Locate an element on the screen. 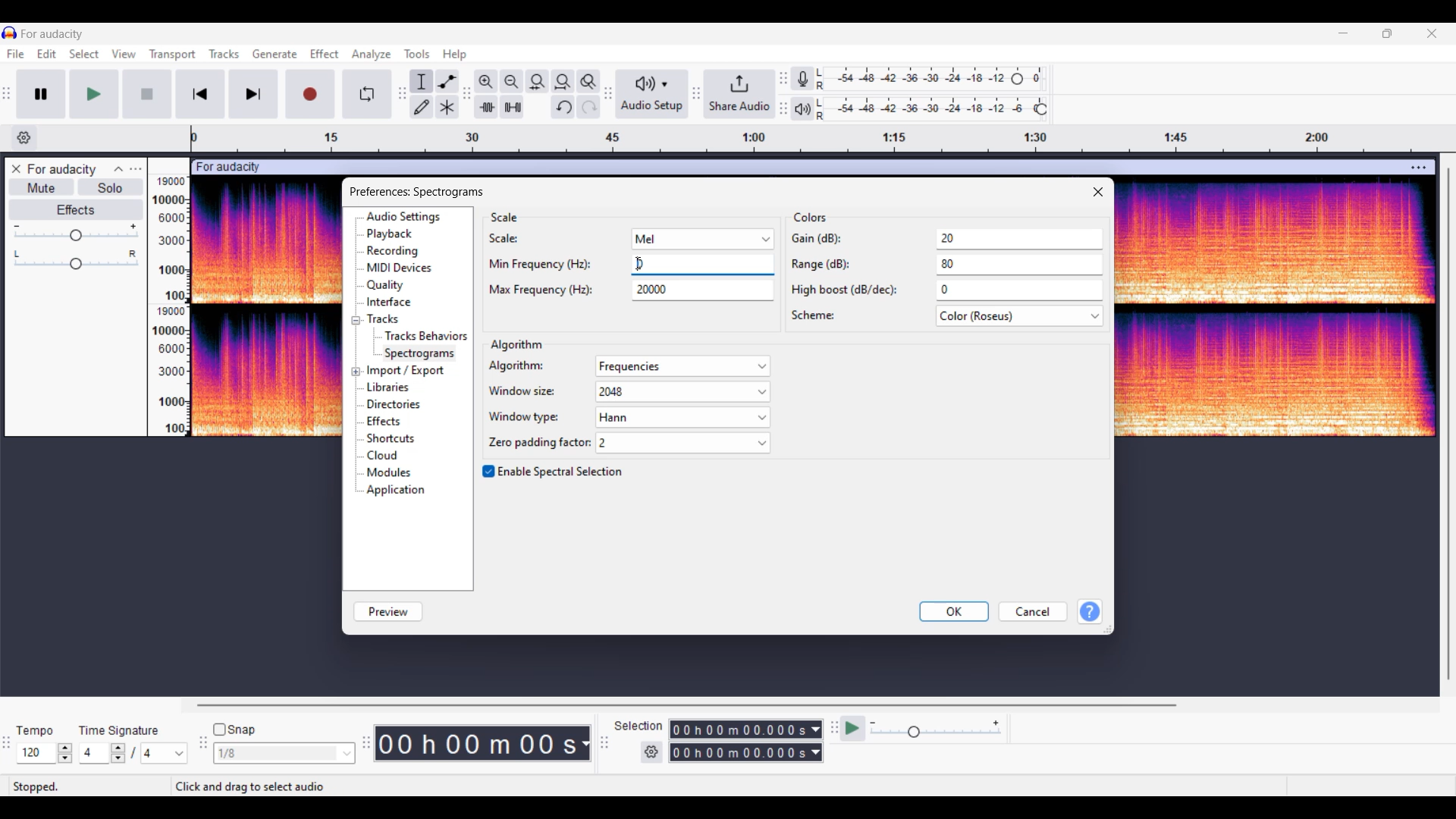  Horizontal slide bar is located at coordinates (692, 705).